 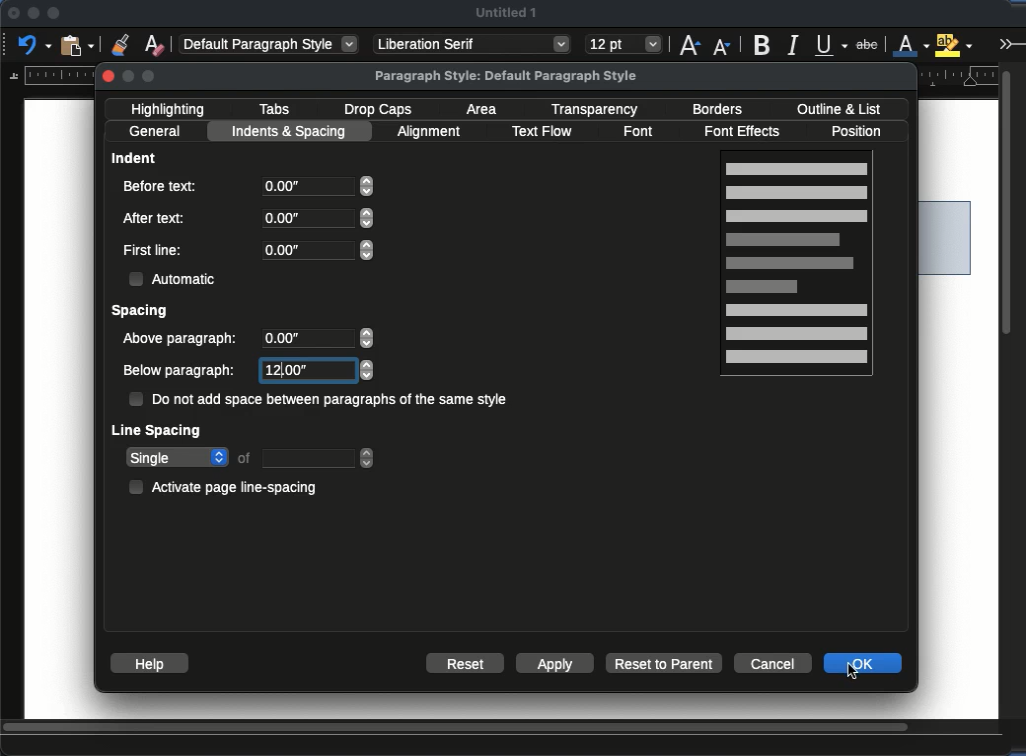 What do you see at coordinates (859, 671) in the screenshot?
I see `click` at bounding box center [859, 671].